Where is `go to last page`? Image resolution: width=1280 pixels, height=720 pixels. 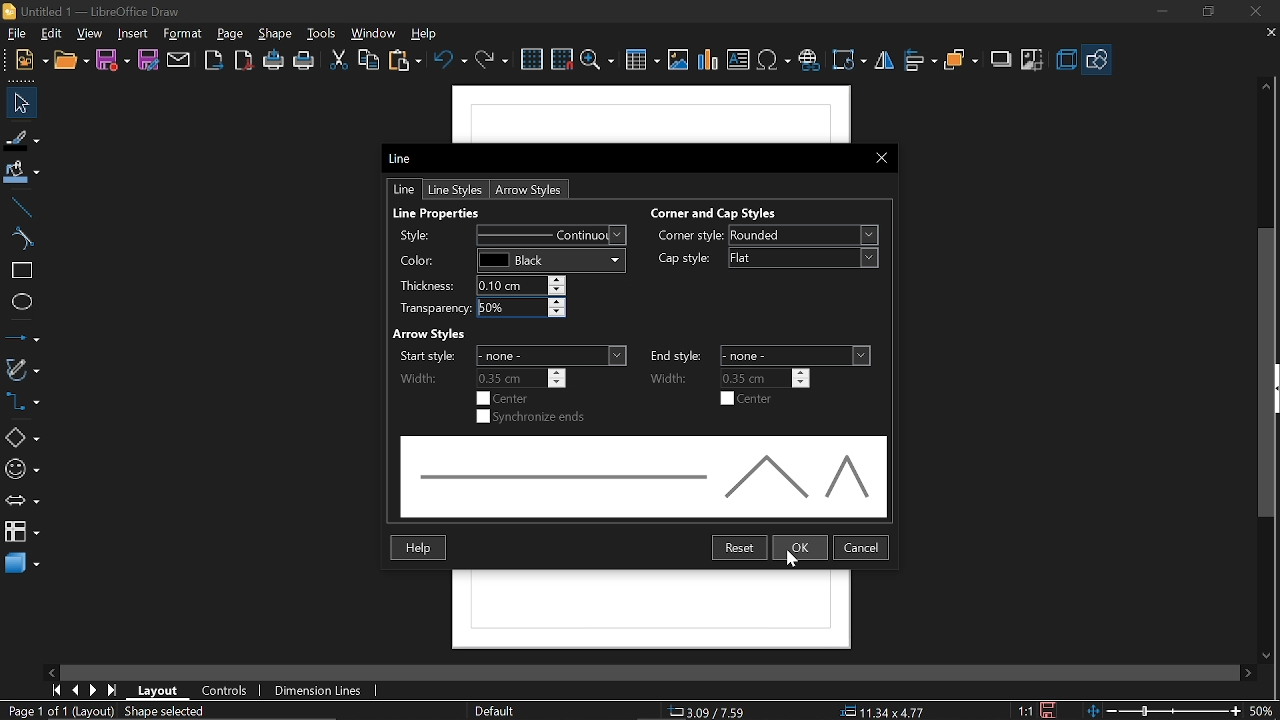
go to last page is located at coordinates (114, 691).